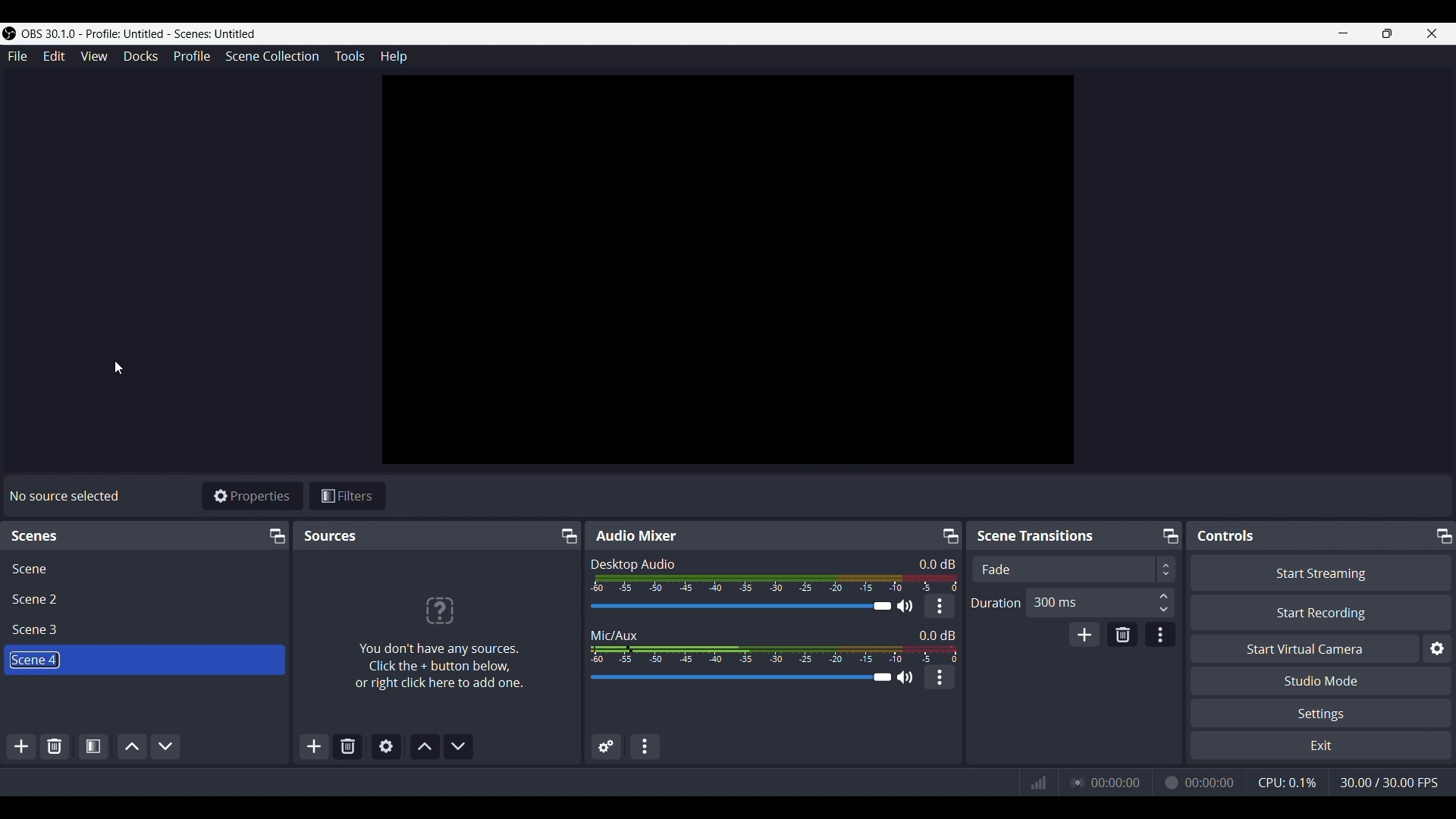 The image size is (1456, 819). I want to click on Live Duration Time, so click(1116, 783).